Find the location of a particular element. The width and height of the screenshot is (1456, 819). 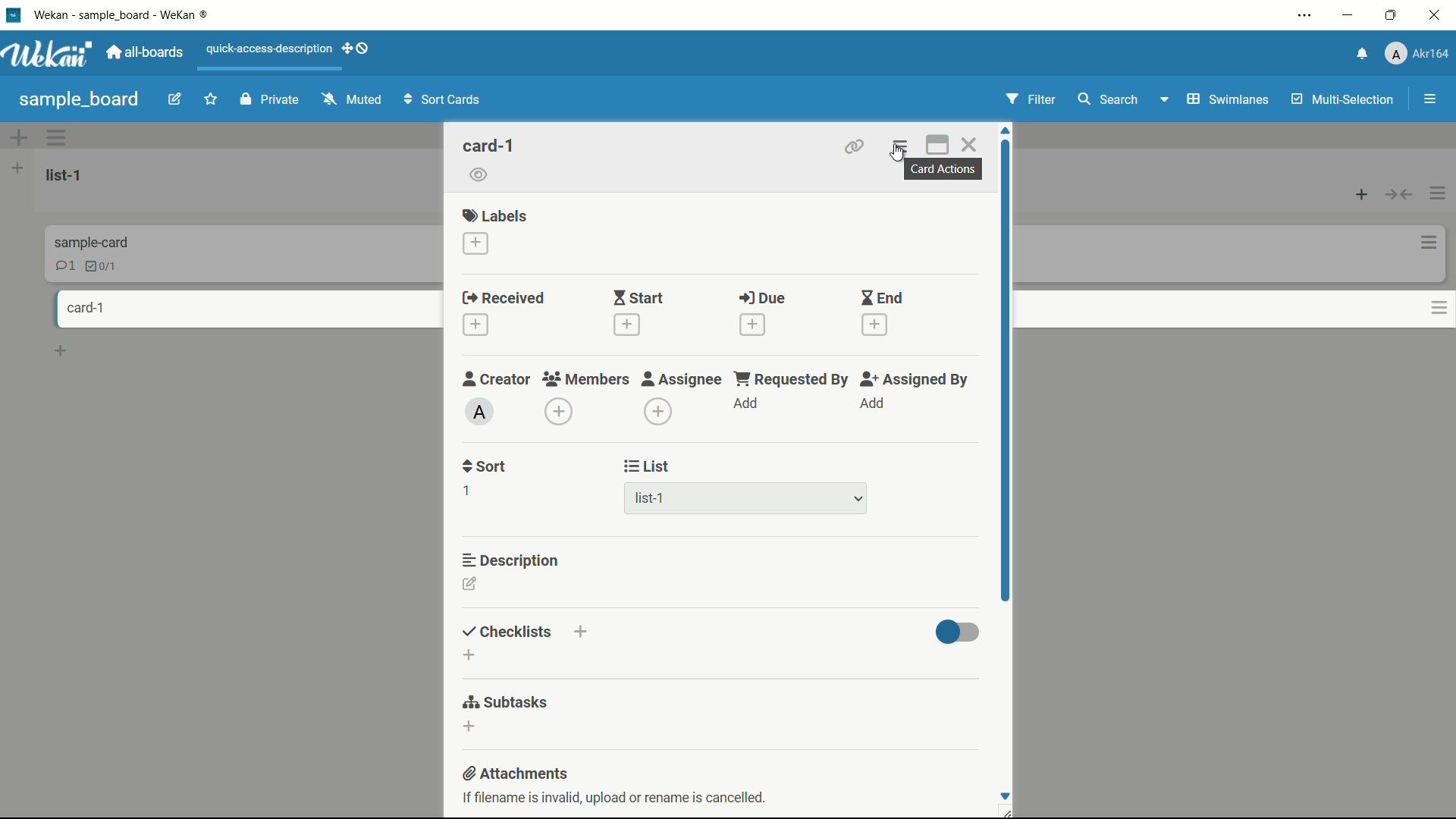

maximize card is located at coordinates (938, 144).